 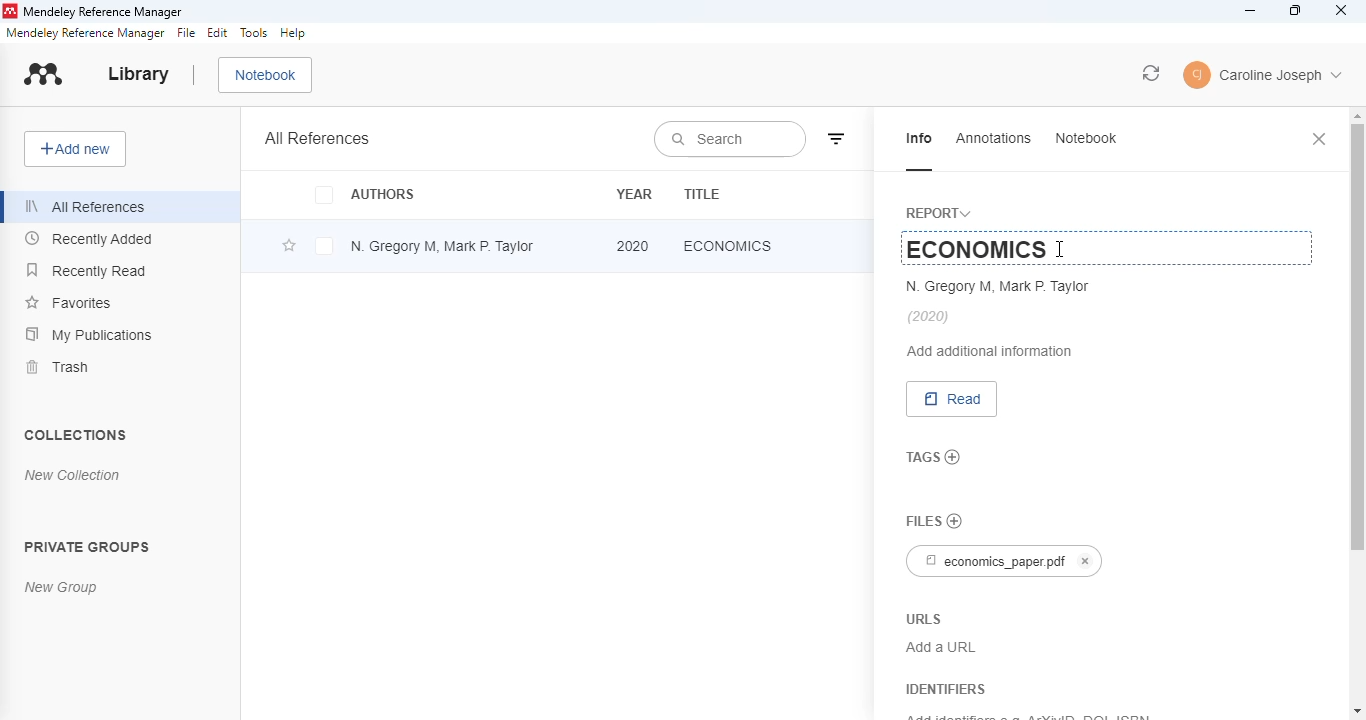 What do you see at coordinates (837, 138) in the screenshot?
I see `filter by` at bounding box center [837, 138].